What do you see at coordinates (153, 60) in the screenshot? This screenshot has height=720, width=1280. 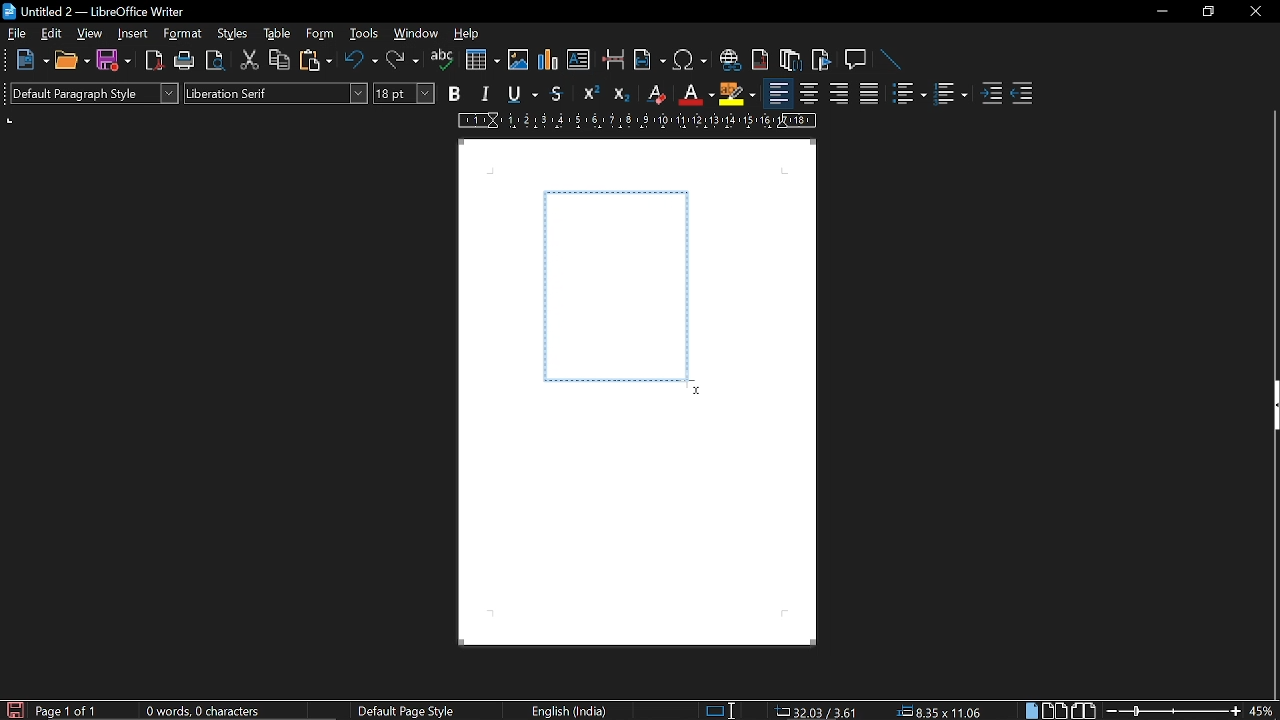 I see `export as pdf` at bounding box center [153, 60].